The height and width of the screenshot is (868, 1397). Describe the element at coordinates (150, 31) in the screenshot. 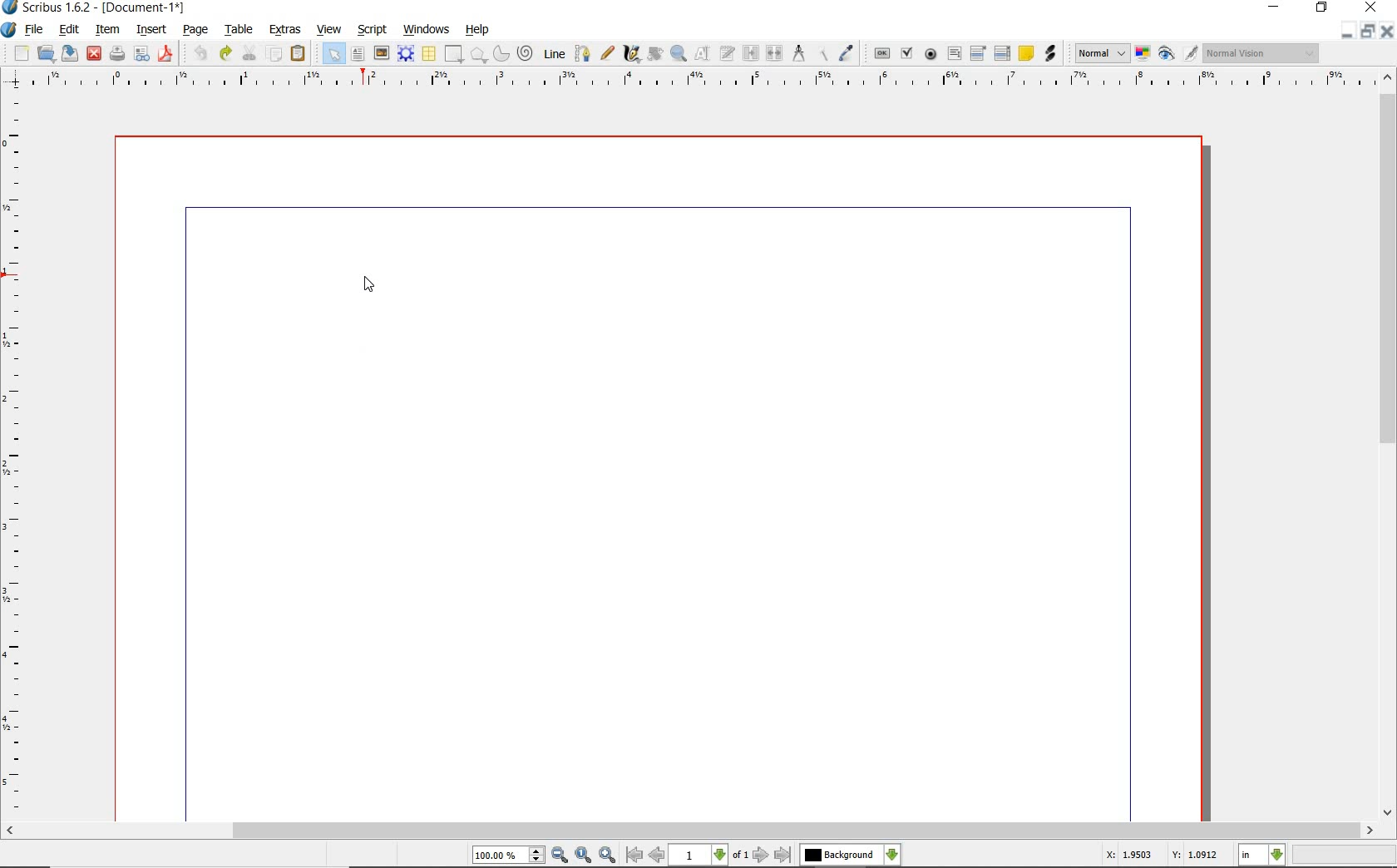

I see `insert` at that location.